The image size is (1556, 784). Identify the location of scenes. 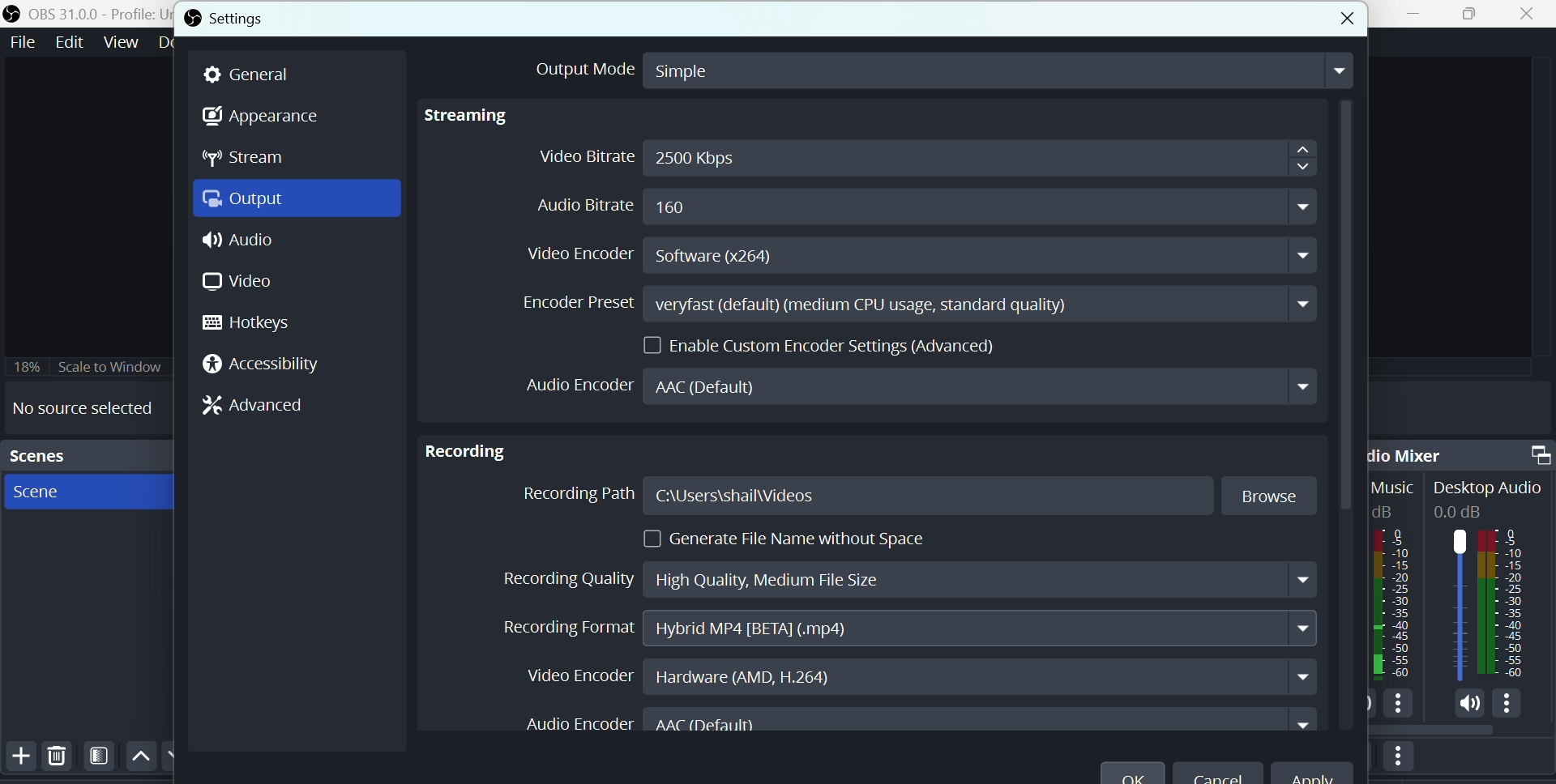
(86, 458).